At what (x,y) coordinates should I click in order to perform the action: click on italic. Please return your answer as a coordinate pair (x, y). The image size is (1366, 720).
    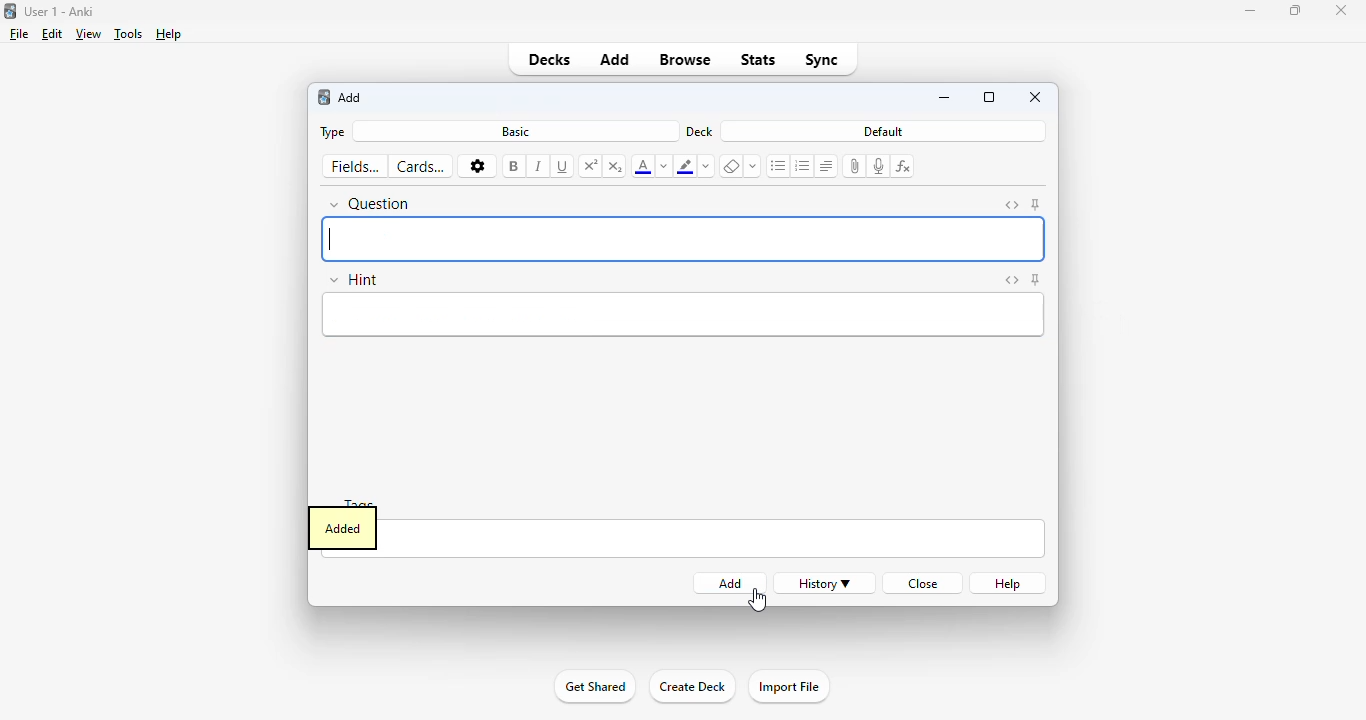
    Looking at the image, I should click on (539, 167).